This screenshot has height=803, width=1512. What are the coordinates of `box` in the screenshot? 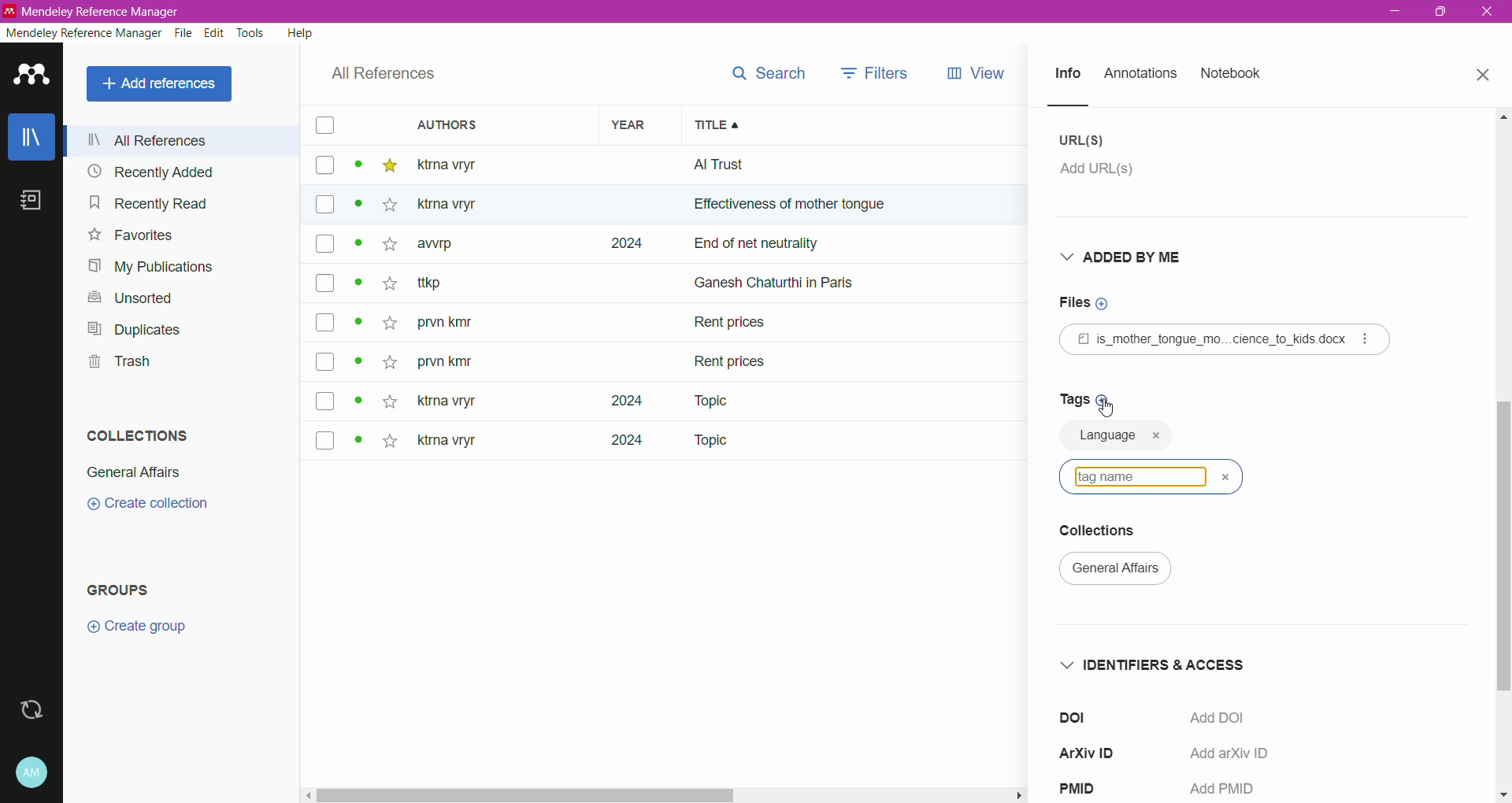 It's located at (323, 126).